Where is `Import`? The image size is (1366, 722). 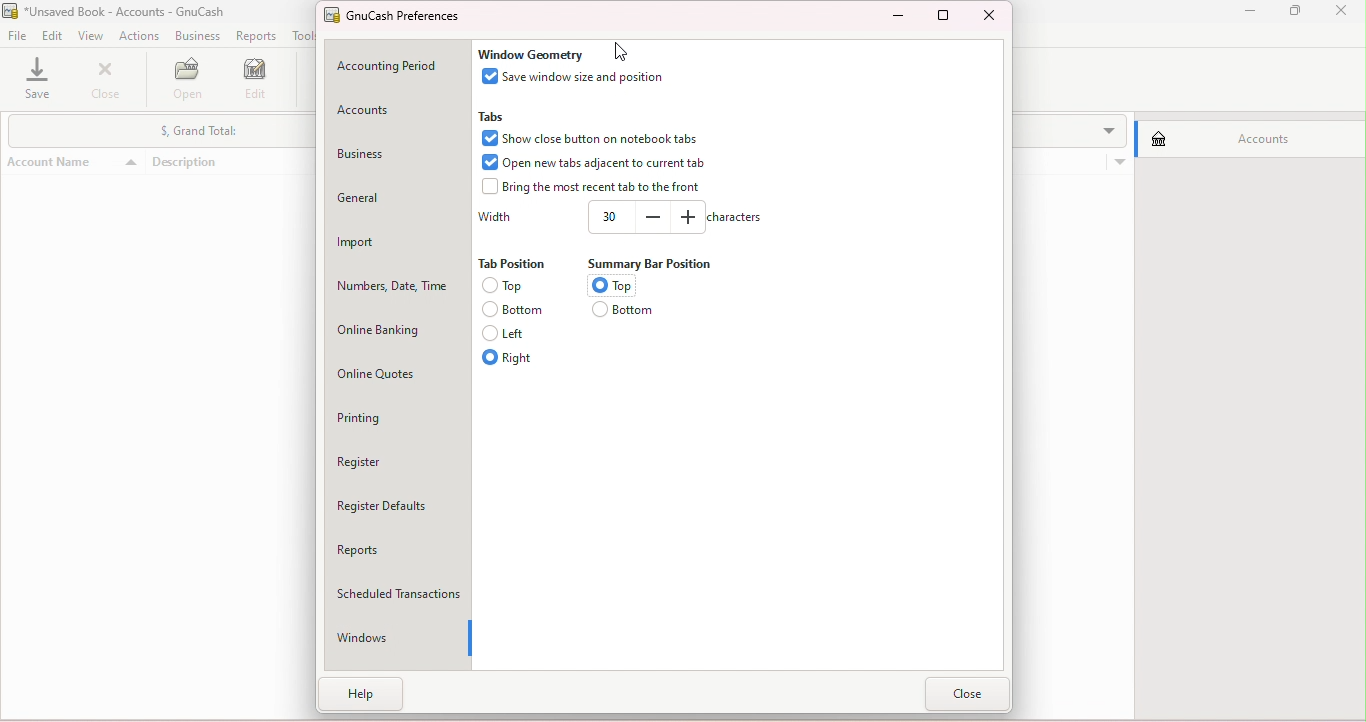
Import is located at coordinates (395, 236).